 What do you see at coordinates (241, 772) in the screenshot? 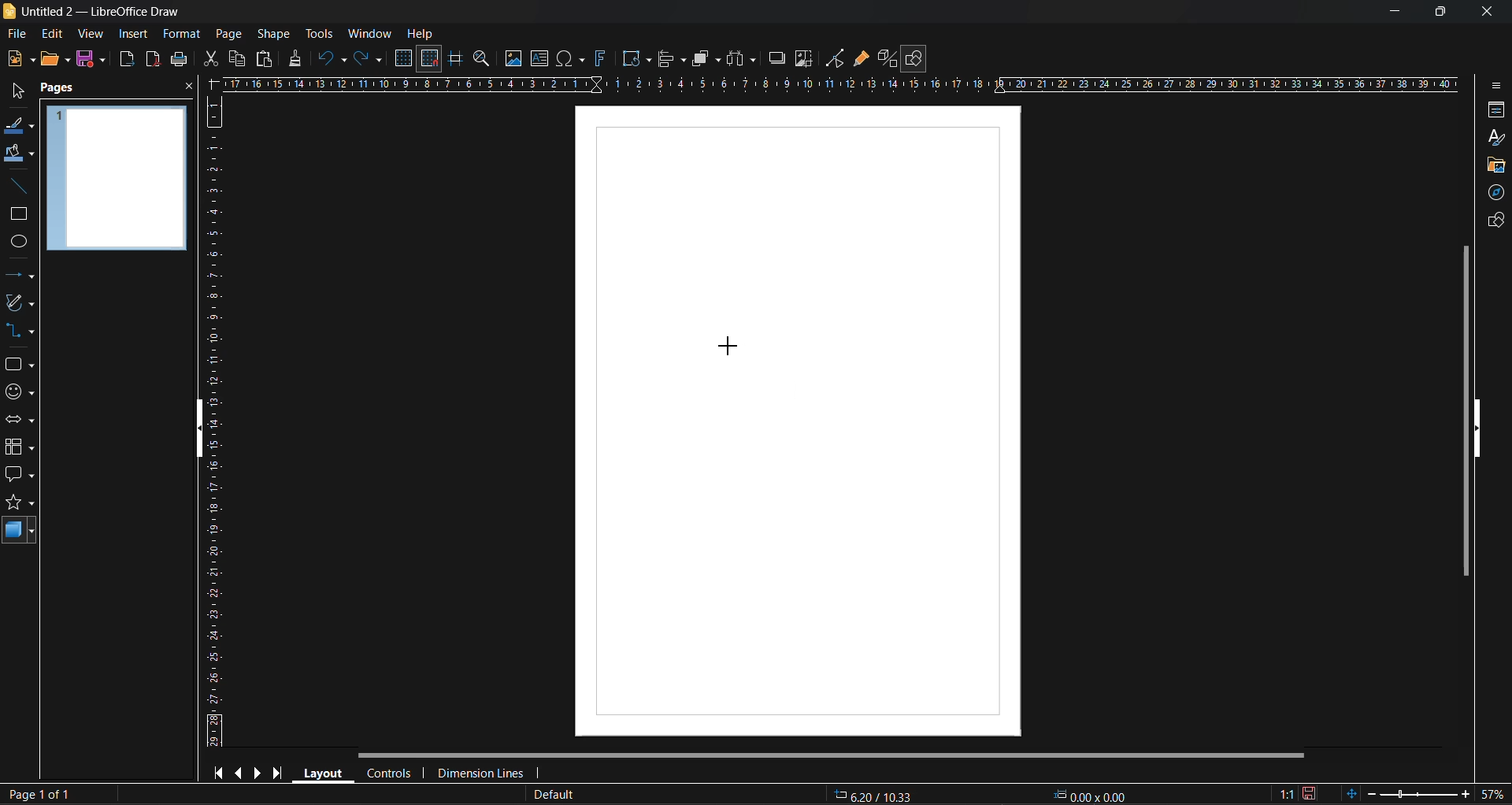
I see `previous` at bounding box center [241, 772].